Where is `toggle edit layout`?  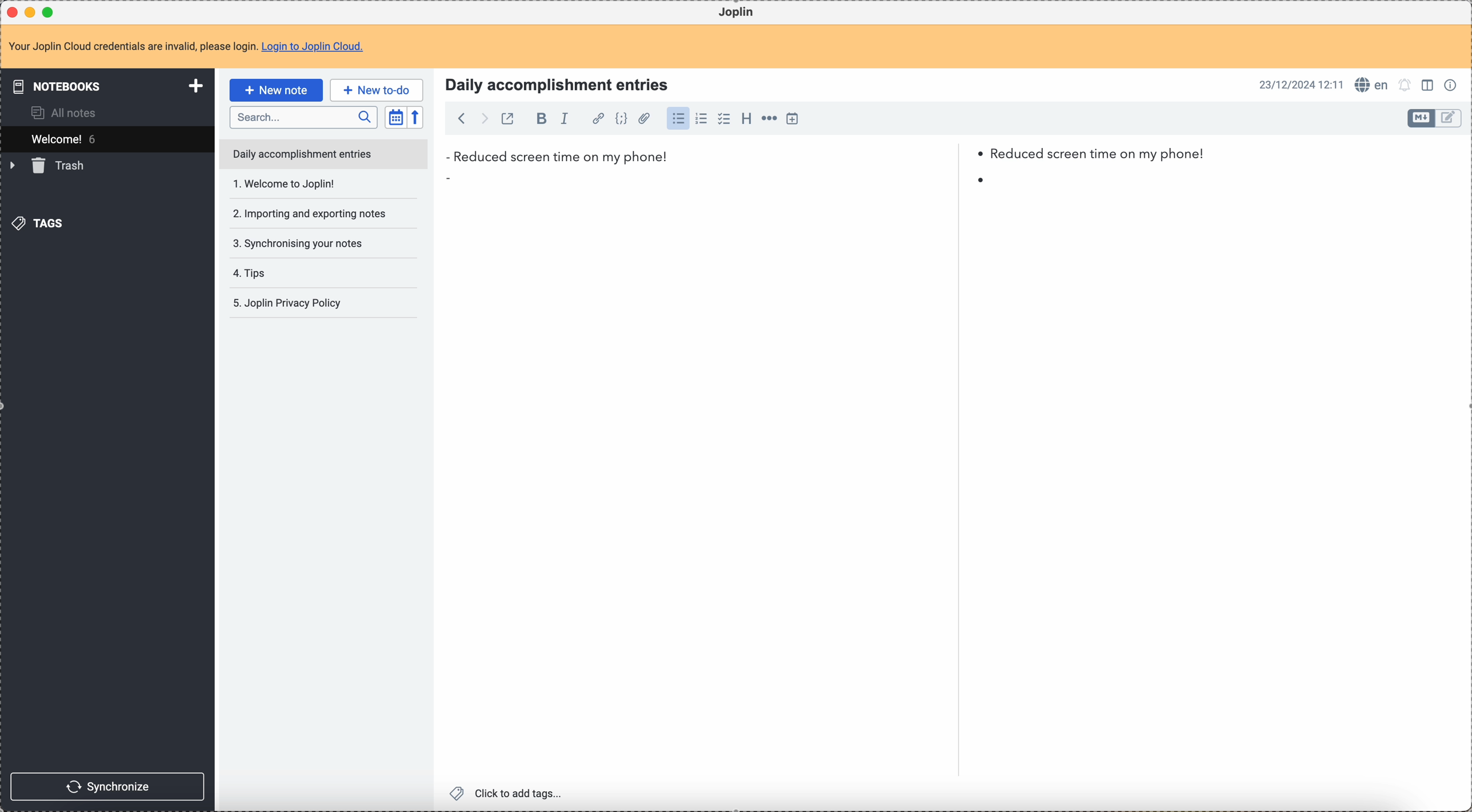
toggle edit layout is located at coordinates (1422, 118).